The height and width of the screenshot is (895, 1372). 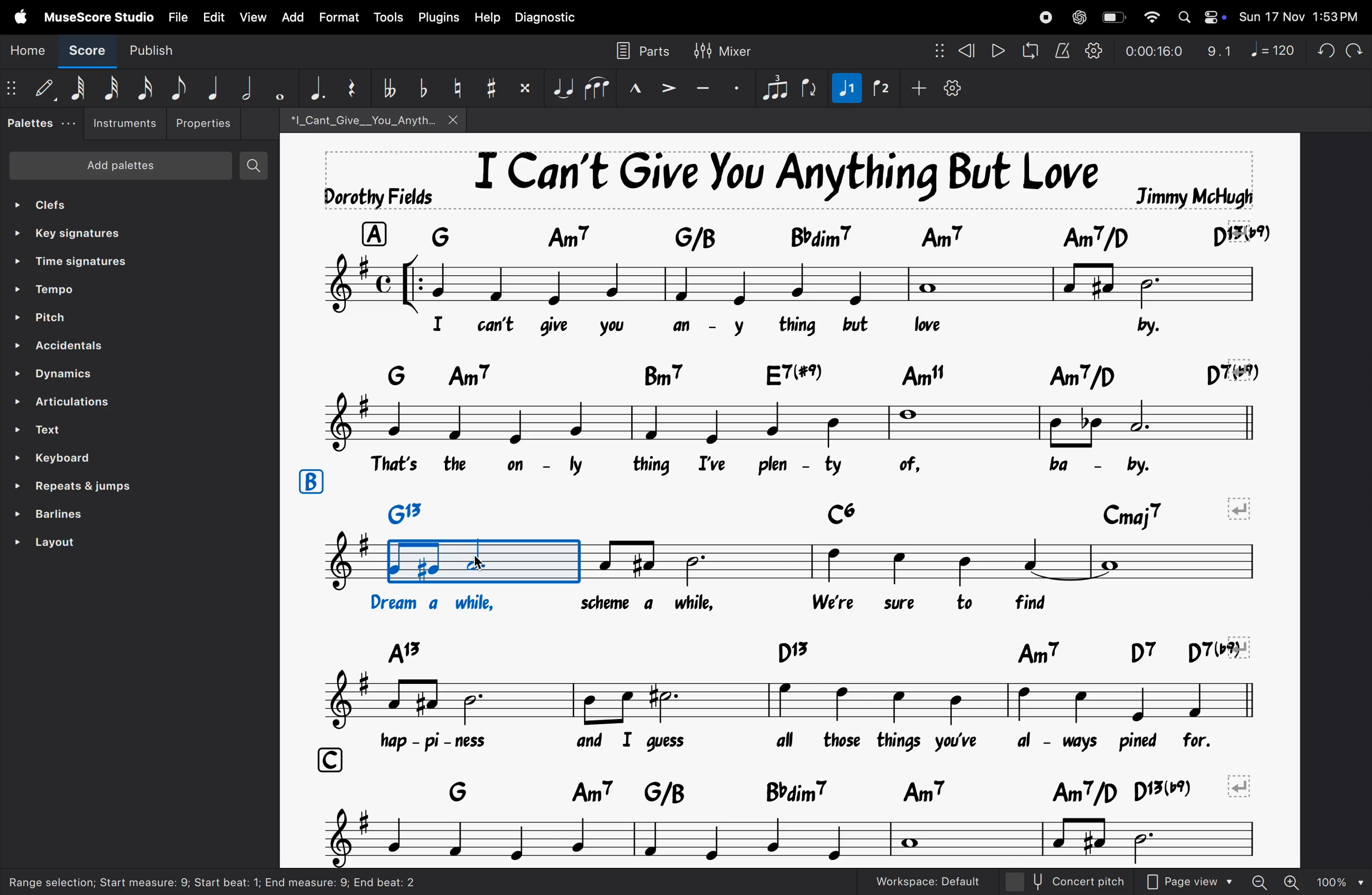 I want to click on rewind, so click(x=966, y=49).